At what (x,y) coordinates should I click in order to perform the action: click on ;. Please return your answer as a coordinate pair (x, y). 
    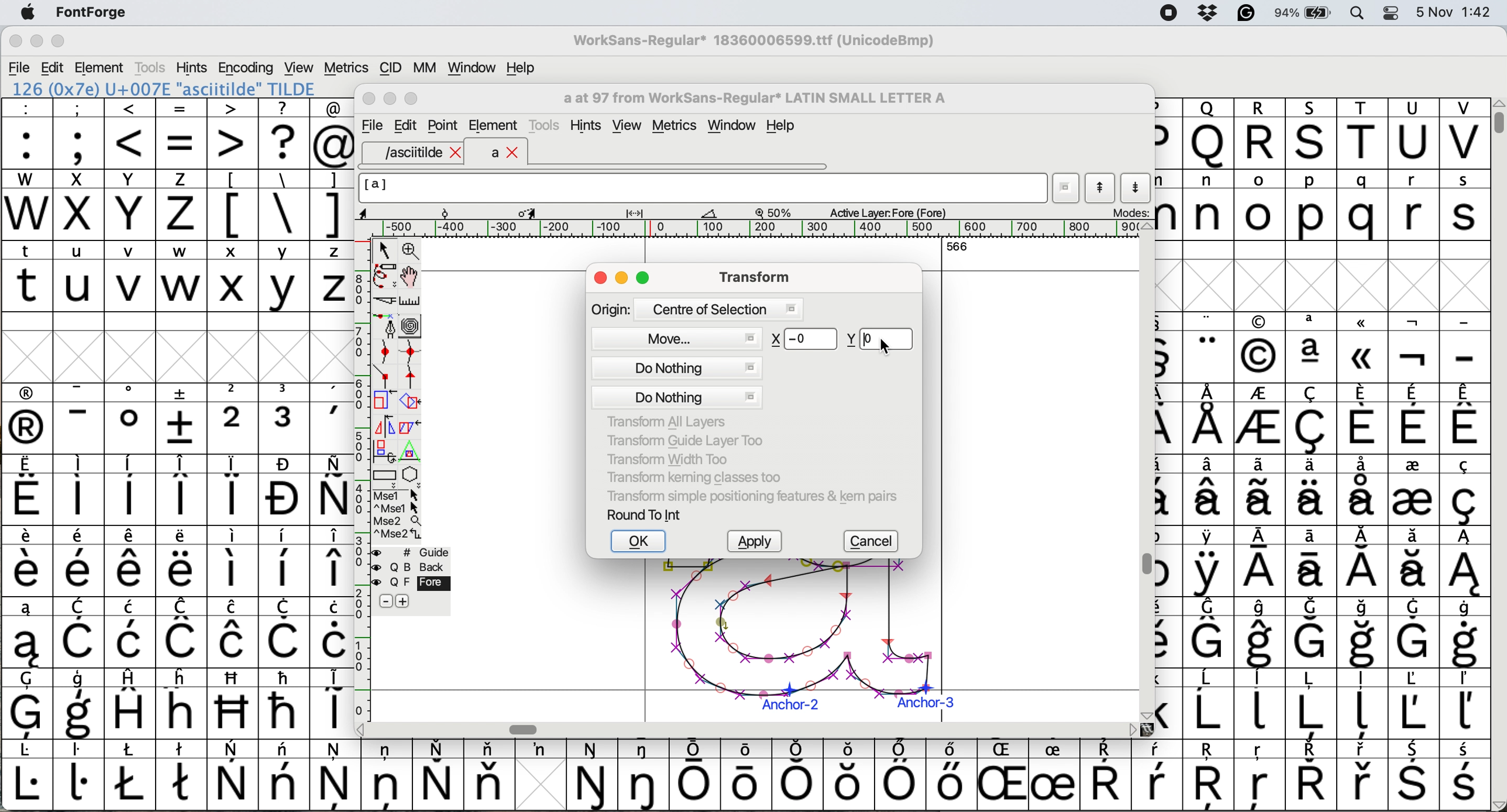
    Looking at the image, I should click on (79, 132).